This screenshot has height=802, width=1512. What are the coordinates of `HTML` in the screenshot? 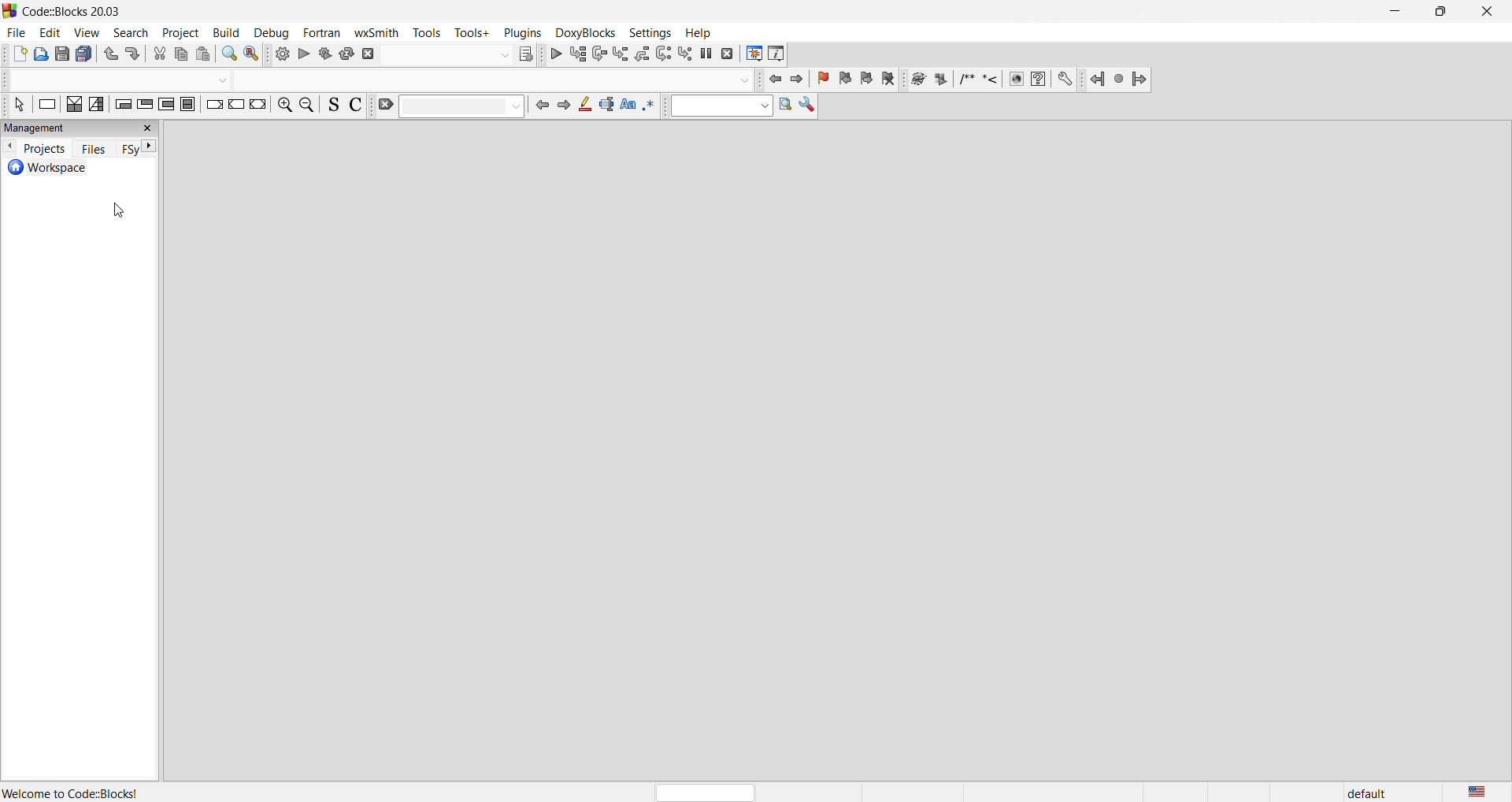 It's located at (1015, 81).